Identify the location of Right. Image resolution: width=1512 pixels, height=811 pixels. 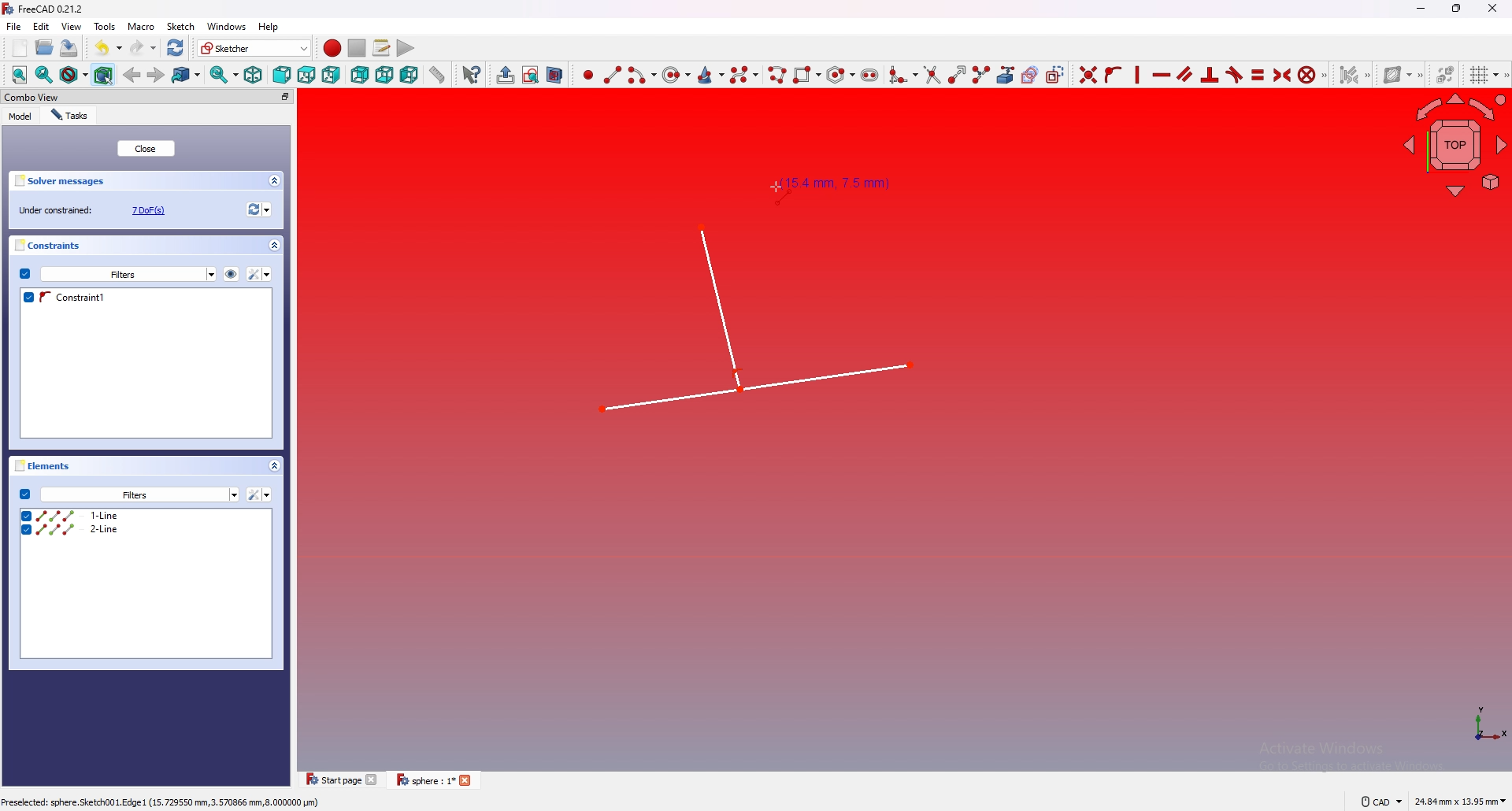
(332, 75).